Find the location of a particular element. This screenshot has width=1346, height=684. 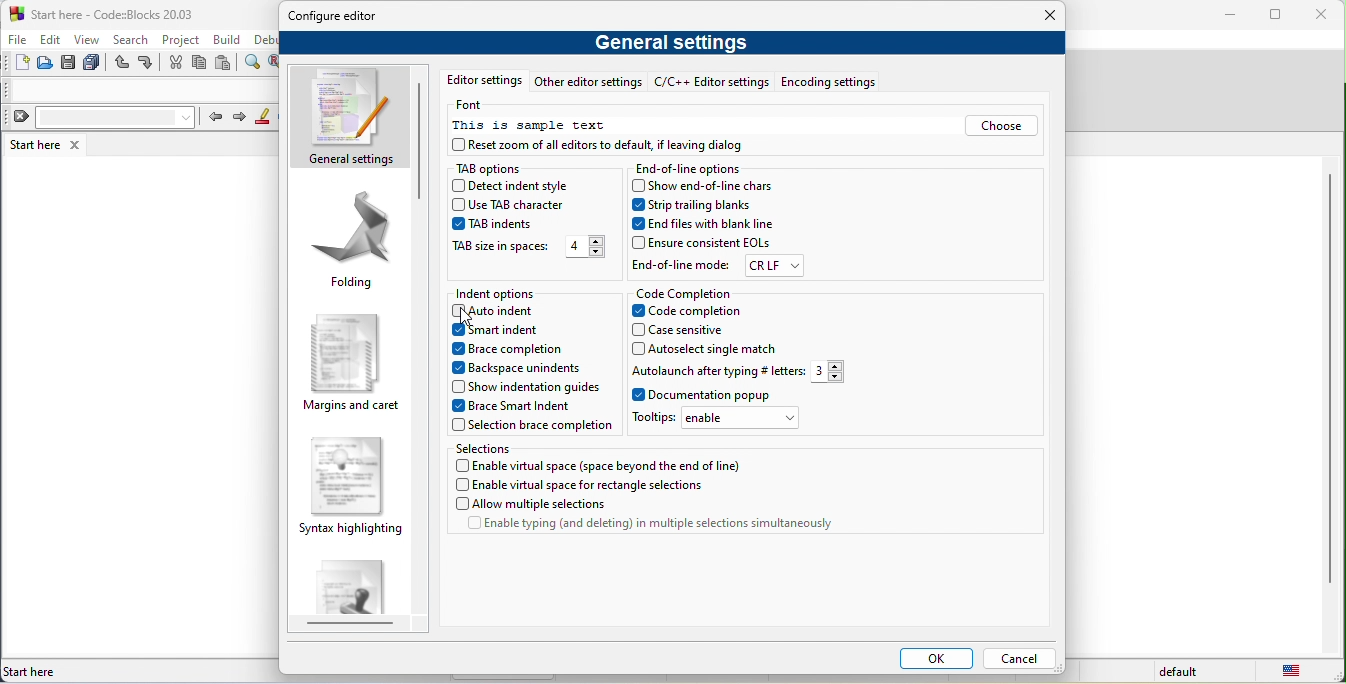

edit is located at coordinates (53, 41).